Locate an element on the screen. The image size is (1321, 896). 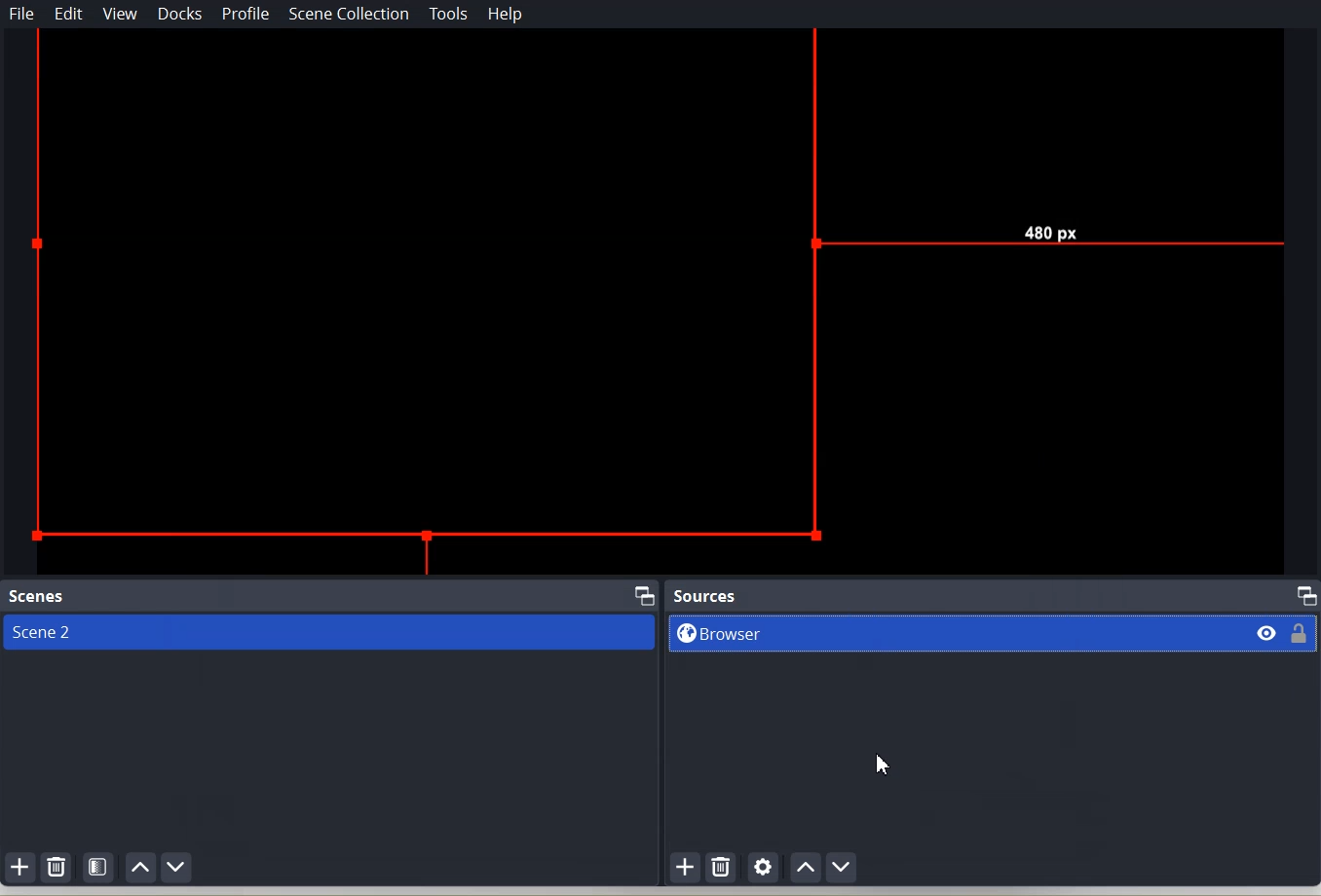
scenes is located at coordinates (39, 596).